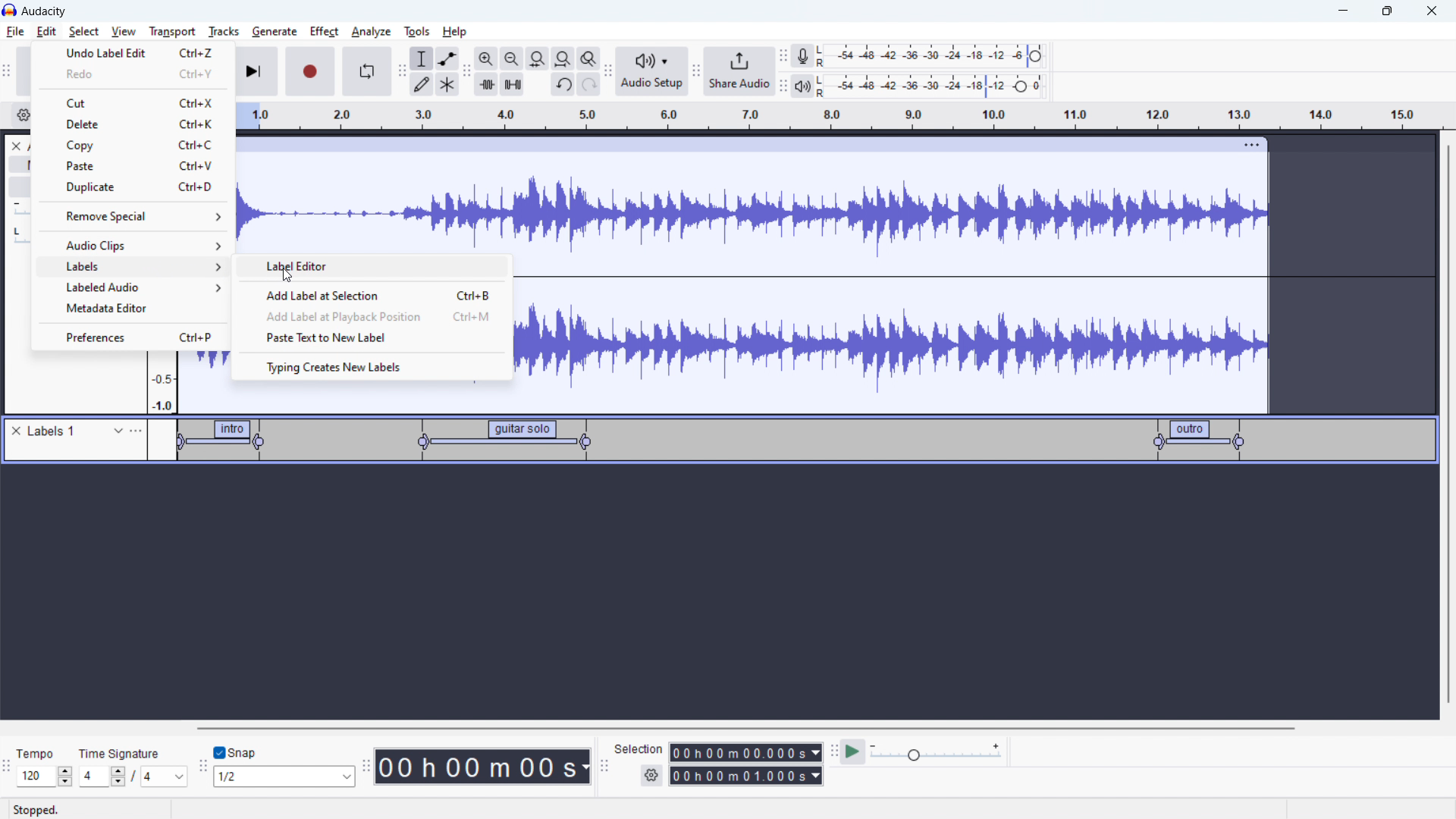 The height and width of the screenshot is (819, 1456). Describe the element at coordinates (275, 31) in the screenshot. I see `generate` at that location.